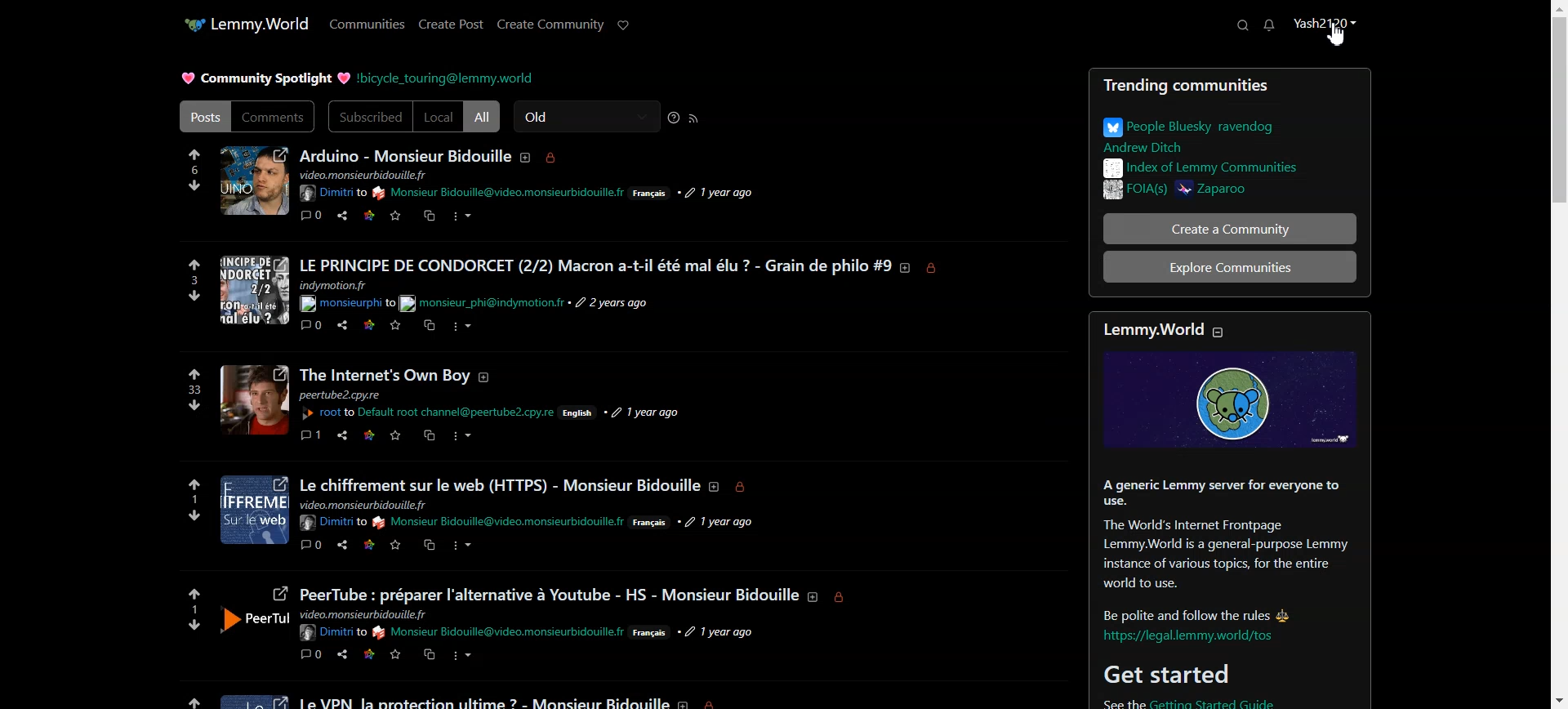  What do you see at coordinates (193, 155) in the screenshot?
I see `Upvote` at bounding box center [193, 155].